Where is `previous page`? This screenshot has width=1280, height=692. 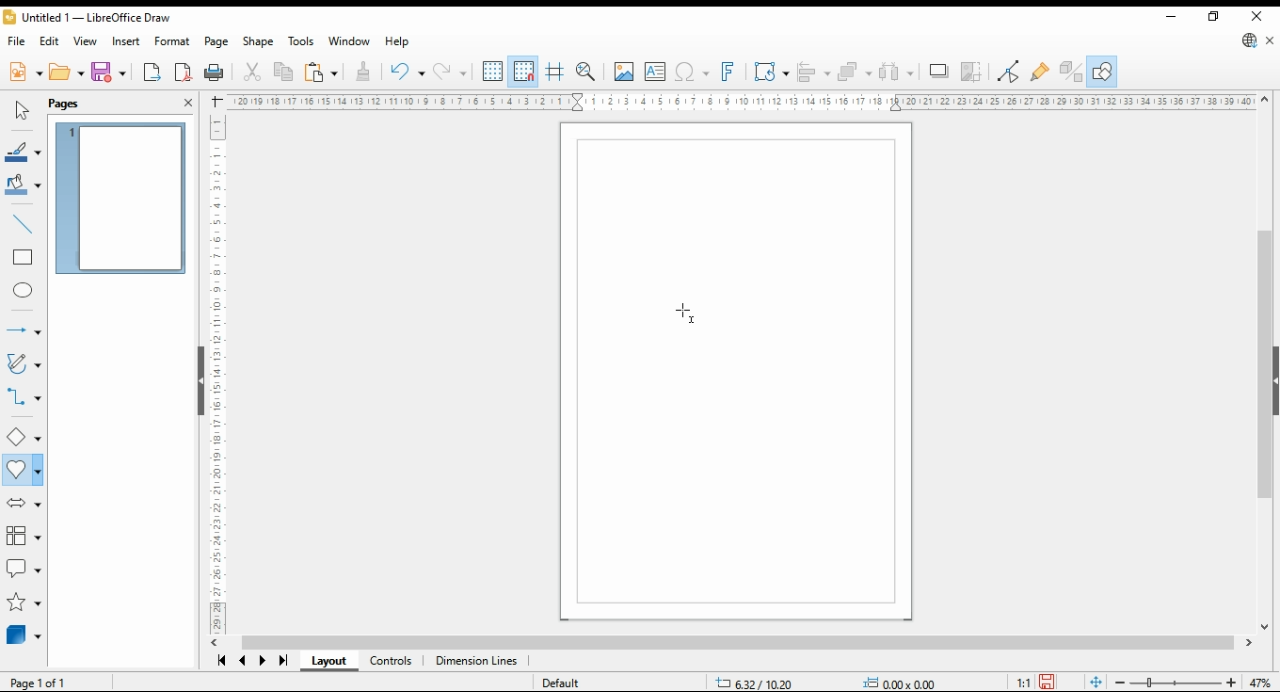
previous page is located at coordinates (243, 663).